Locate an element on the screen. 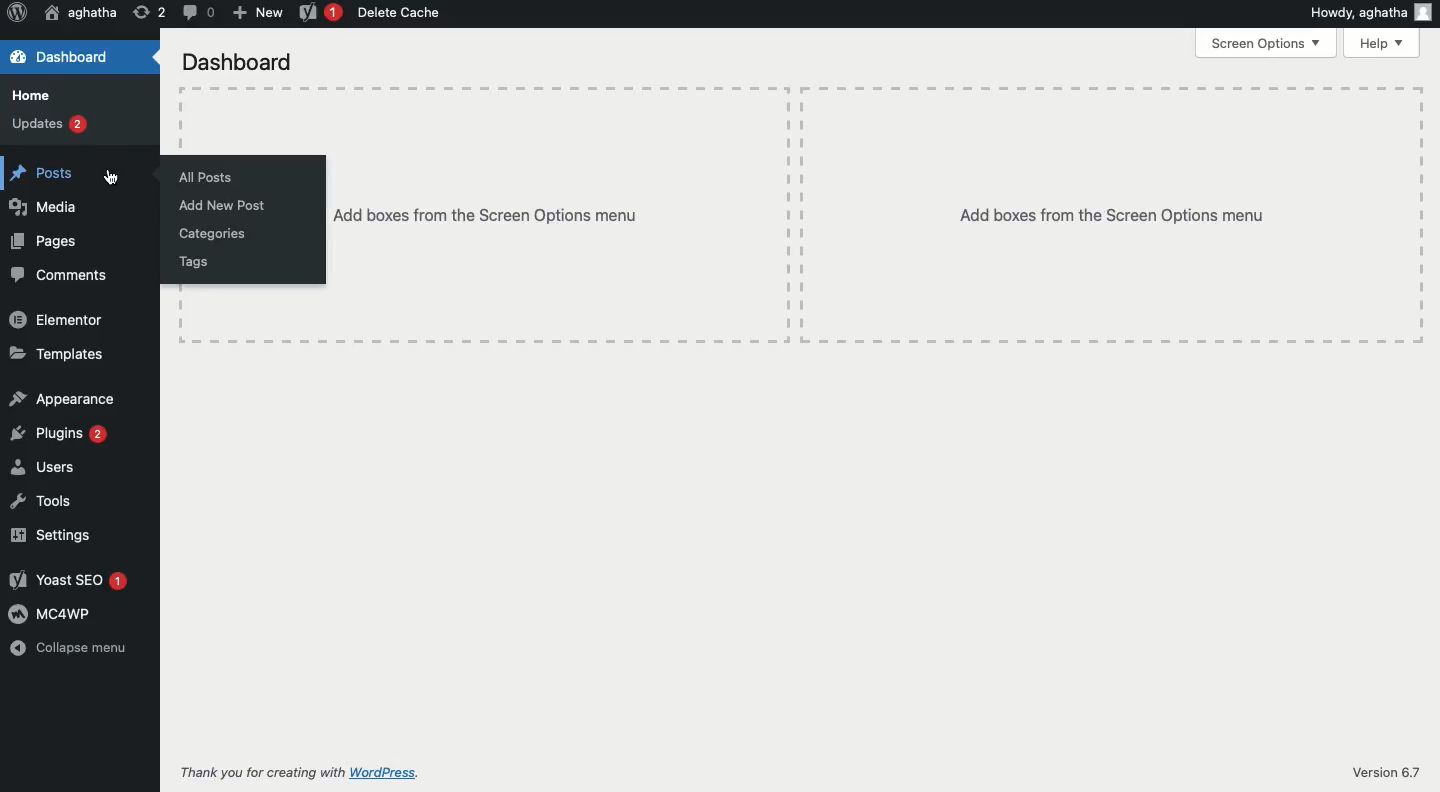  Delete cache is located at coordinates (403, 14).